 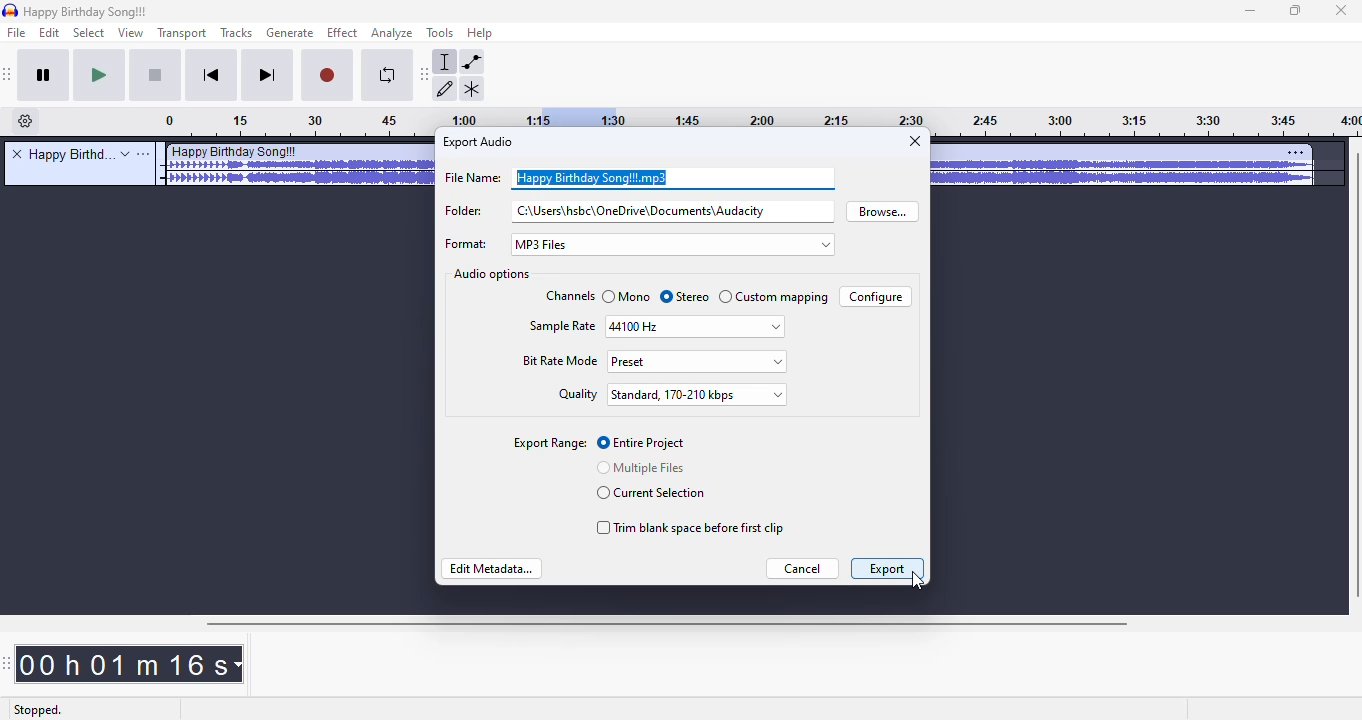 I want to click on audio options, so click(x=493, y=274).